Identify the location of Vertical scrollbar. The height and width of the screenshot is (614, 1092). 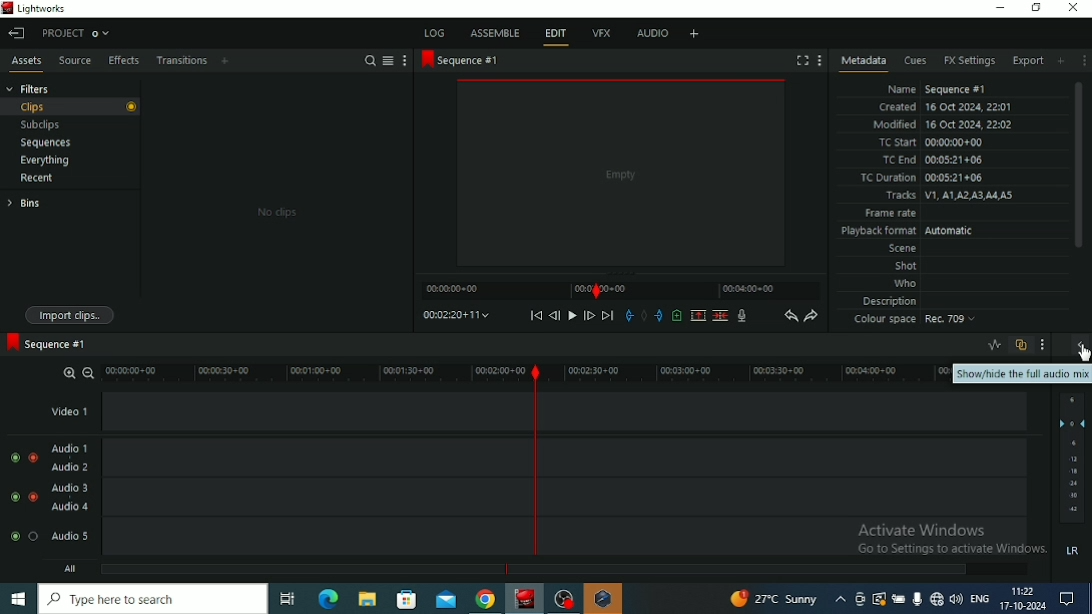
(1080, 165).